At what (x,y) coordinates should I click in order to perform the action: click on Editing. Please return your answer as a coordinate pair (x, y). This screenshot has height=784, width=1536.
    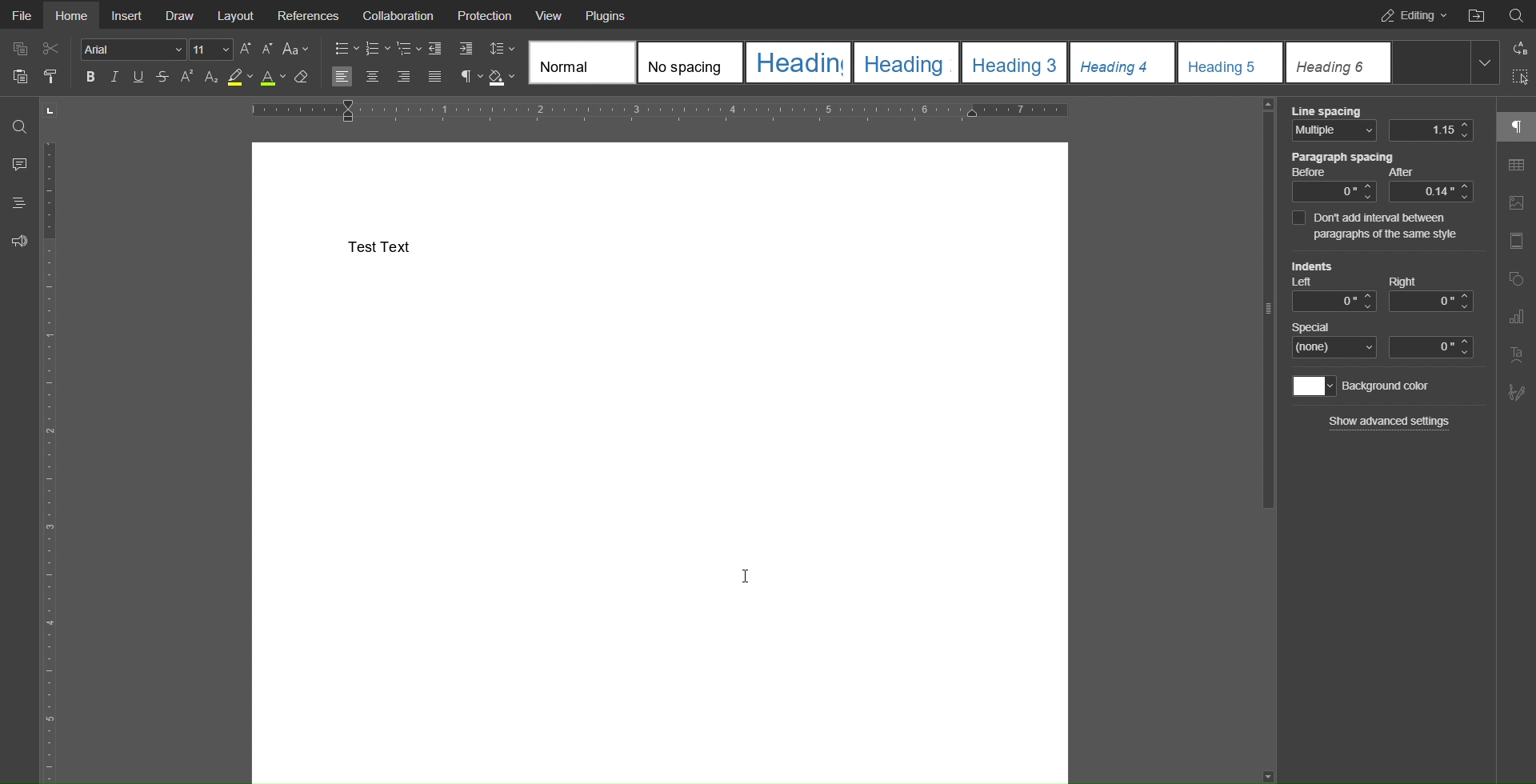
    Looking at the image, I should click on (1409, 14).